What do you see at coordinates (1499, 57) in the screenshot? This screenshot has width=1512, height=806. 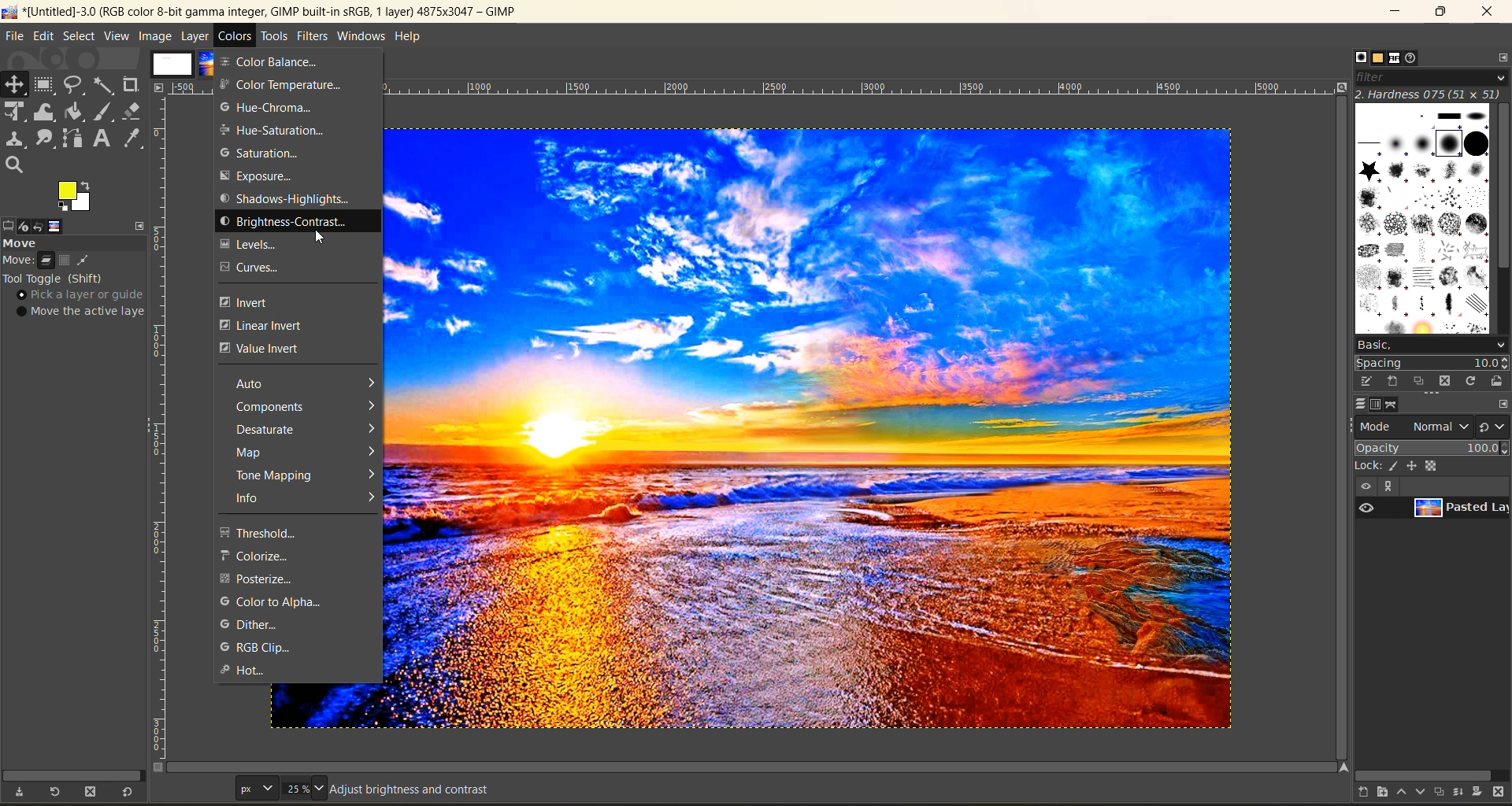 I see `configure` at bounding box center [1499, 57].